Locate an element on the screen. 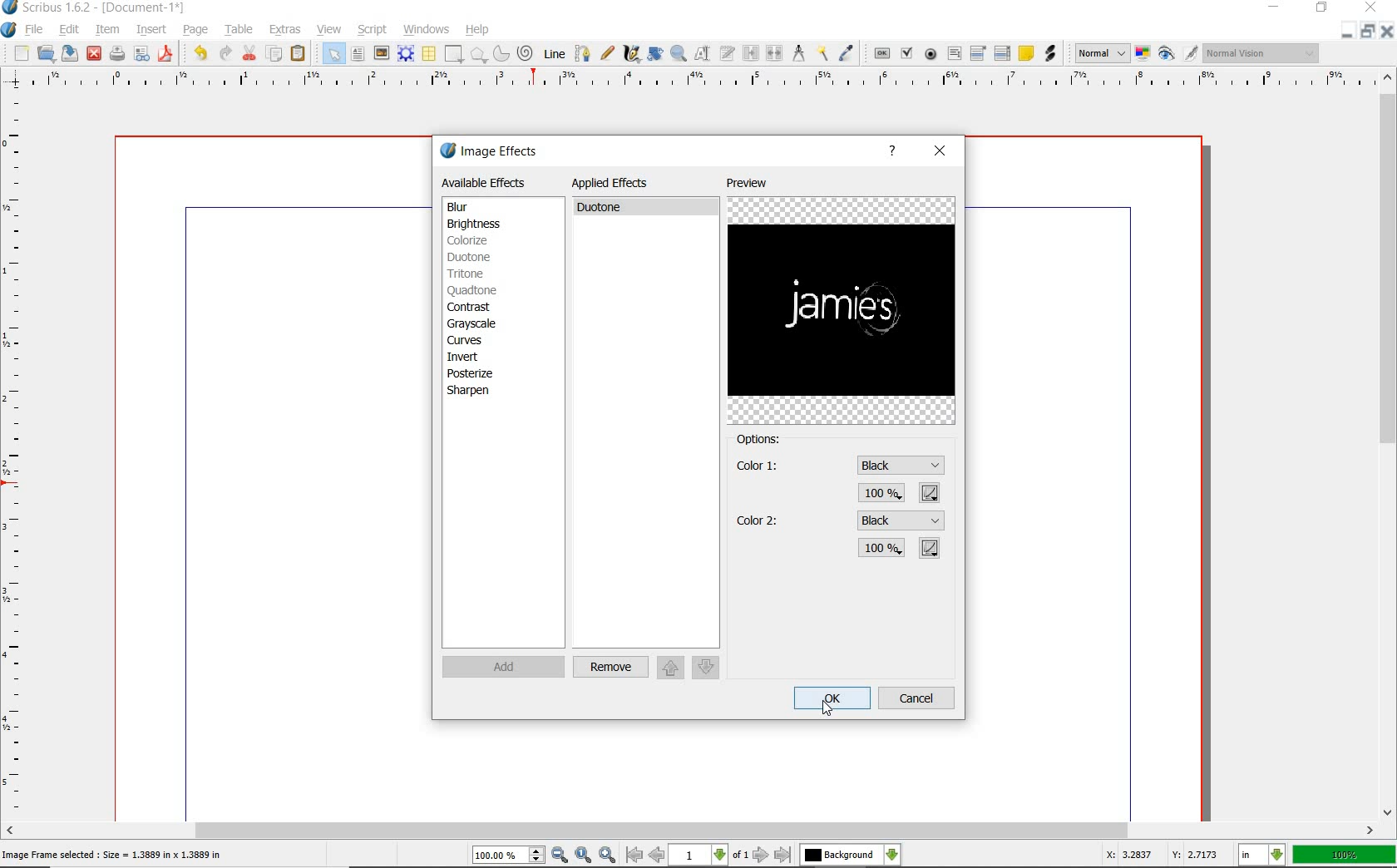  available effects is located at coordinates (489, 184).